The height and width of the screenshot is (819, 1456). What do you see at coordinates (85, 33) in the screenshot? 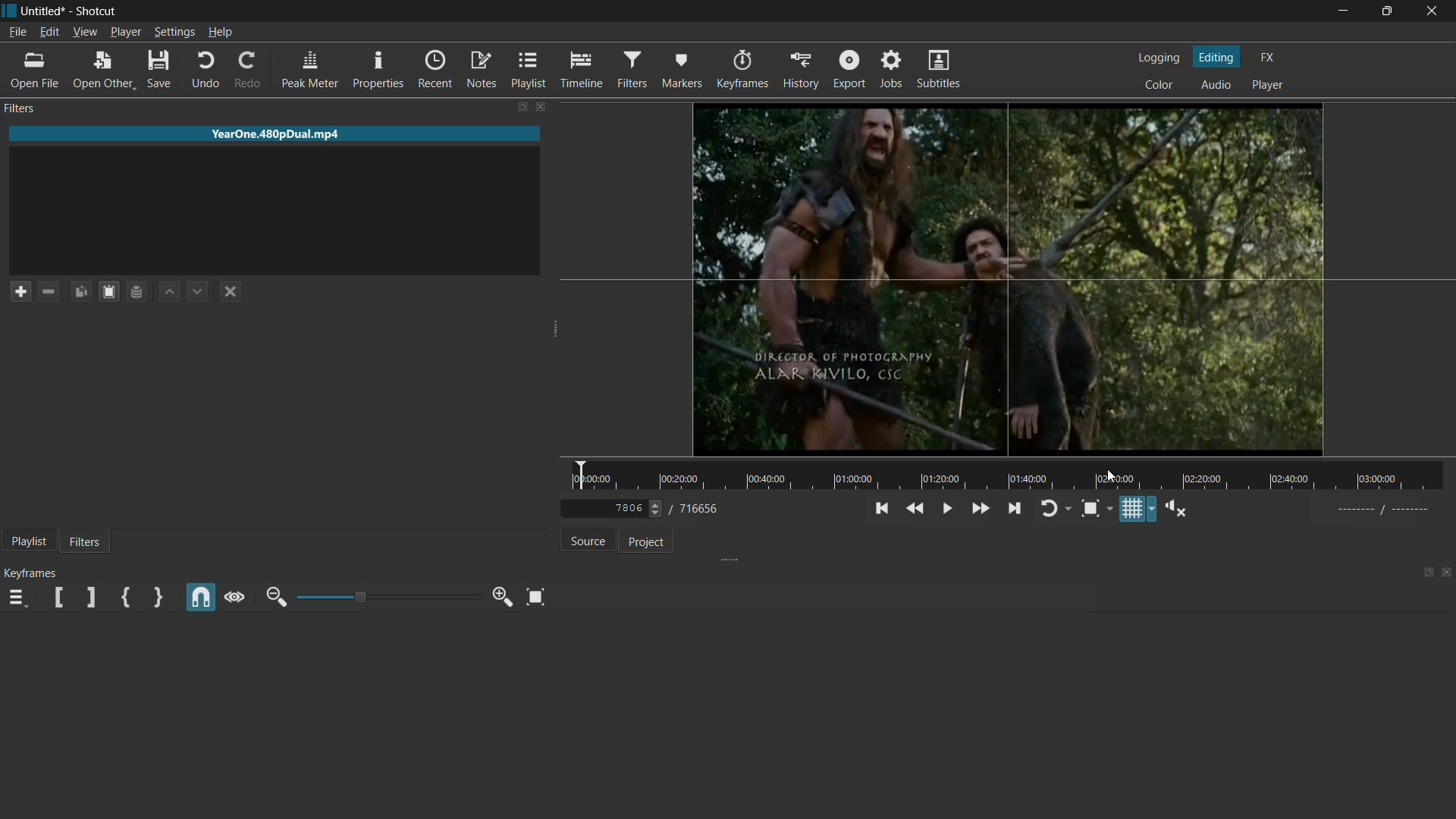
I see `view menu` at bounding box center [85, 33].